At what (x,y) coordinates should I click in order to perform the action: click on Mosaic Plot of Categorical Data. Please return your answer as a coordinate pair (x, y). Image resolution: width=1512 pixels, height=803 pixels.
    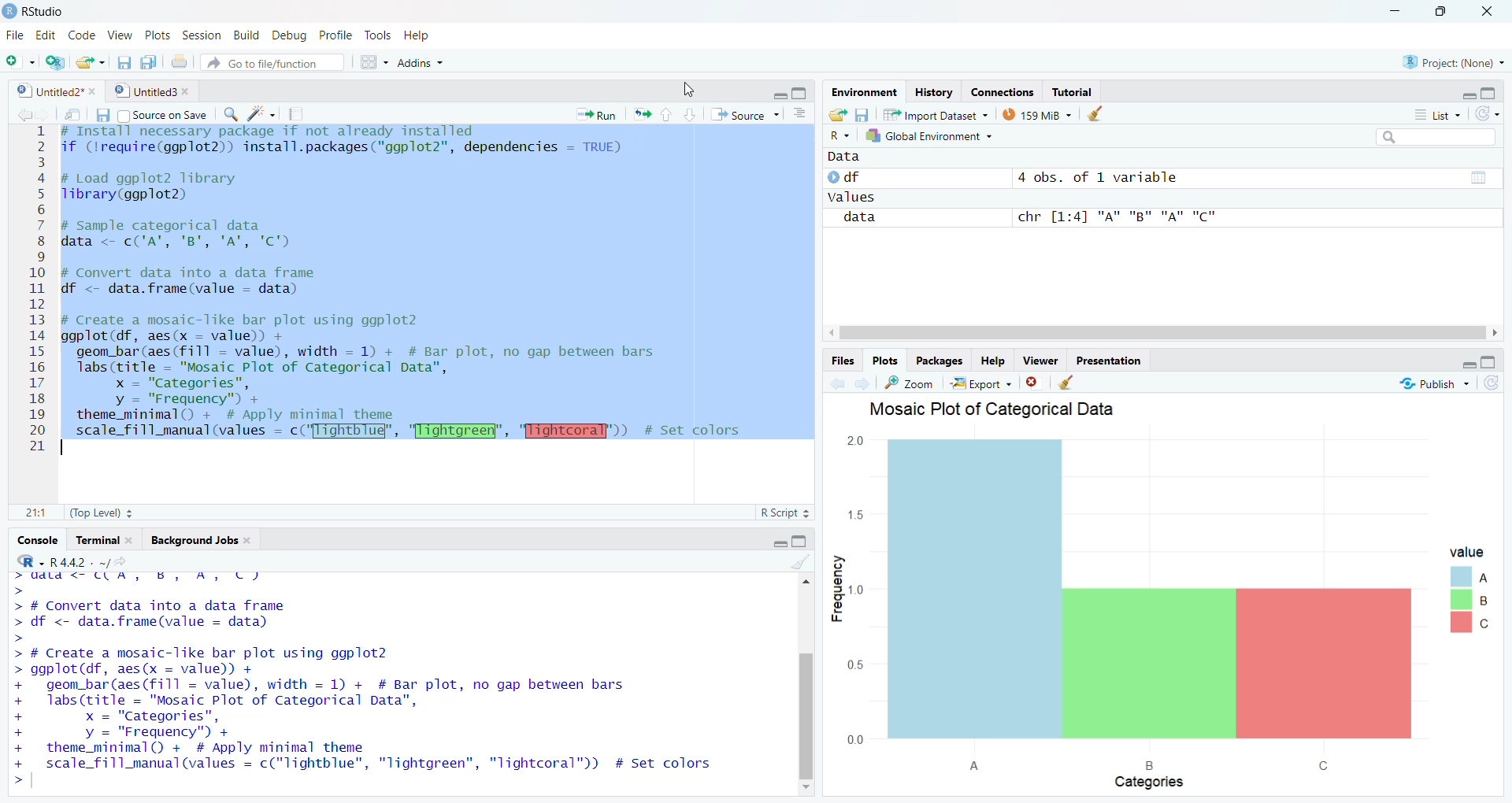
    Looking at the image, I should click on (997, 409).